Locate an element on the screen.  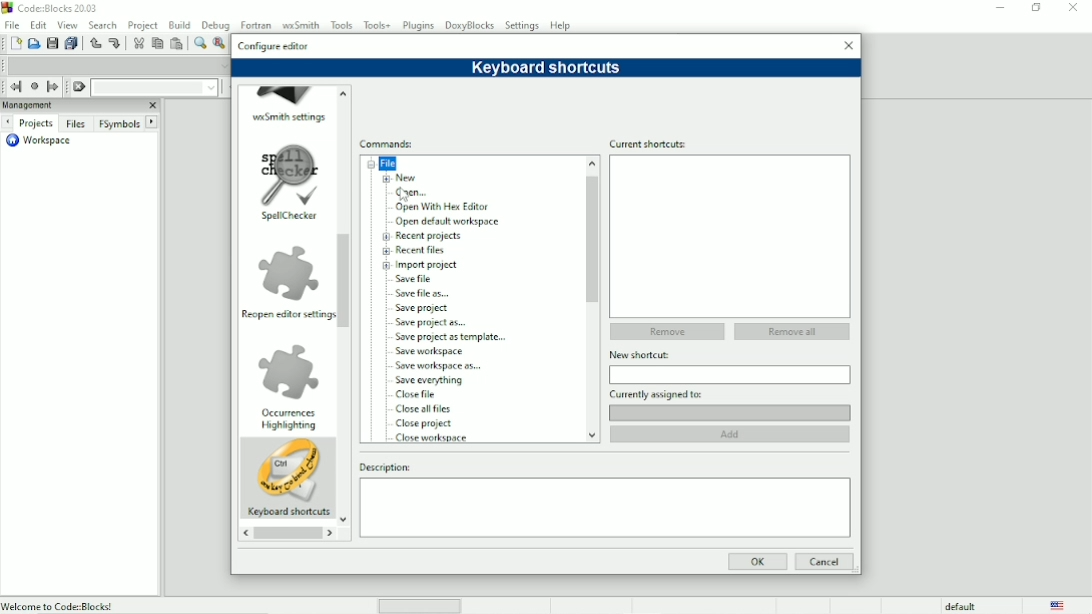
View is located at coordinates (69, 24).